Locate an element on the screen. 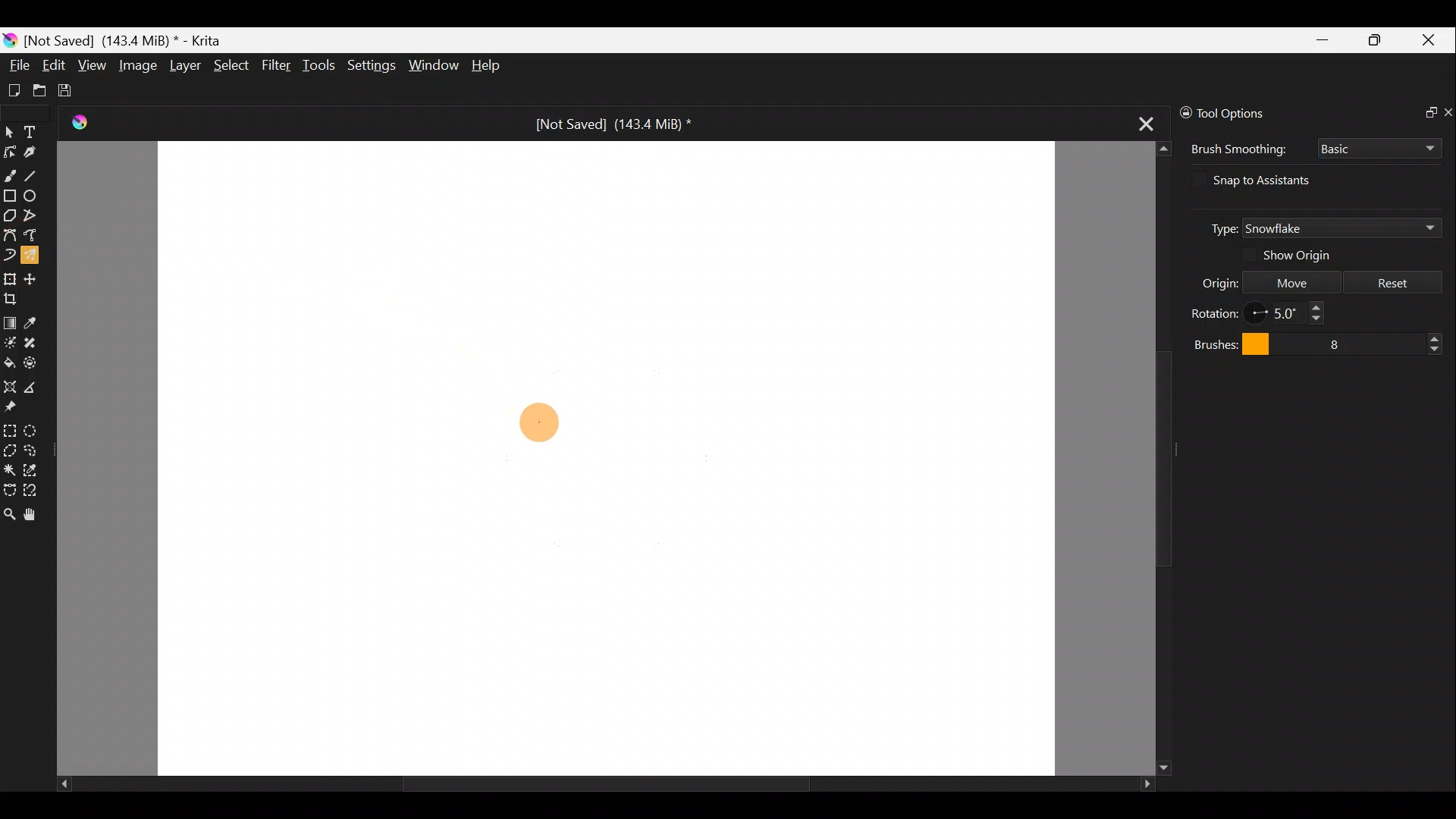 The width and height of the screenshot is (1456, 819). Edit shapes tool is located at coordinates (9, 152).